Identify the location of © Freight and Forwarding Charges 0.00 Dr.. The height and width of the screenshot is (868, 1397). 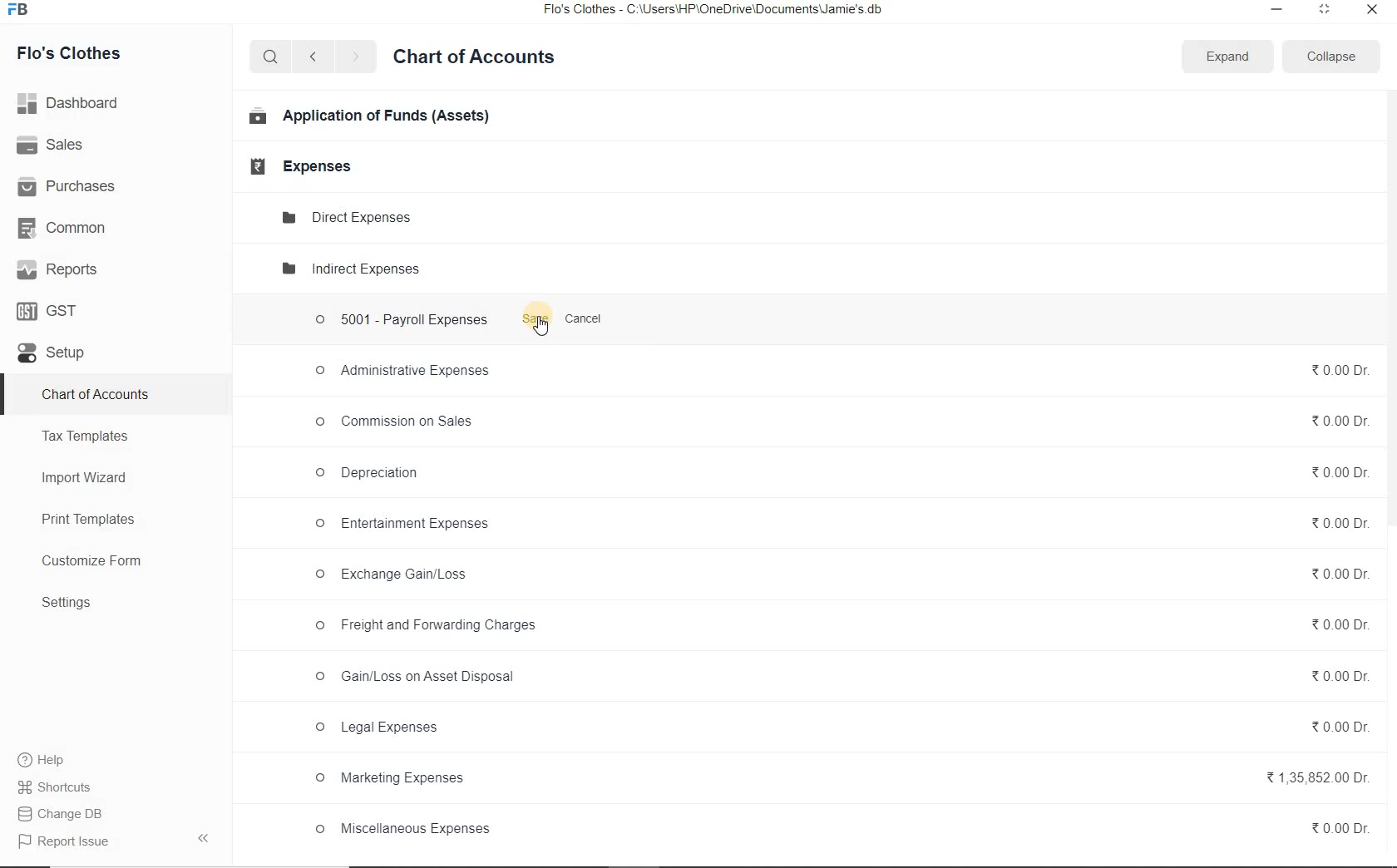
(842, 628).